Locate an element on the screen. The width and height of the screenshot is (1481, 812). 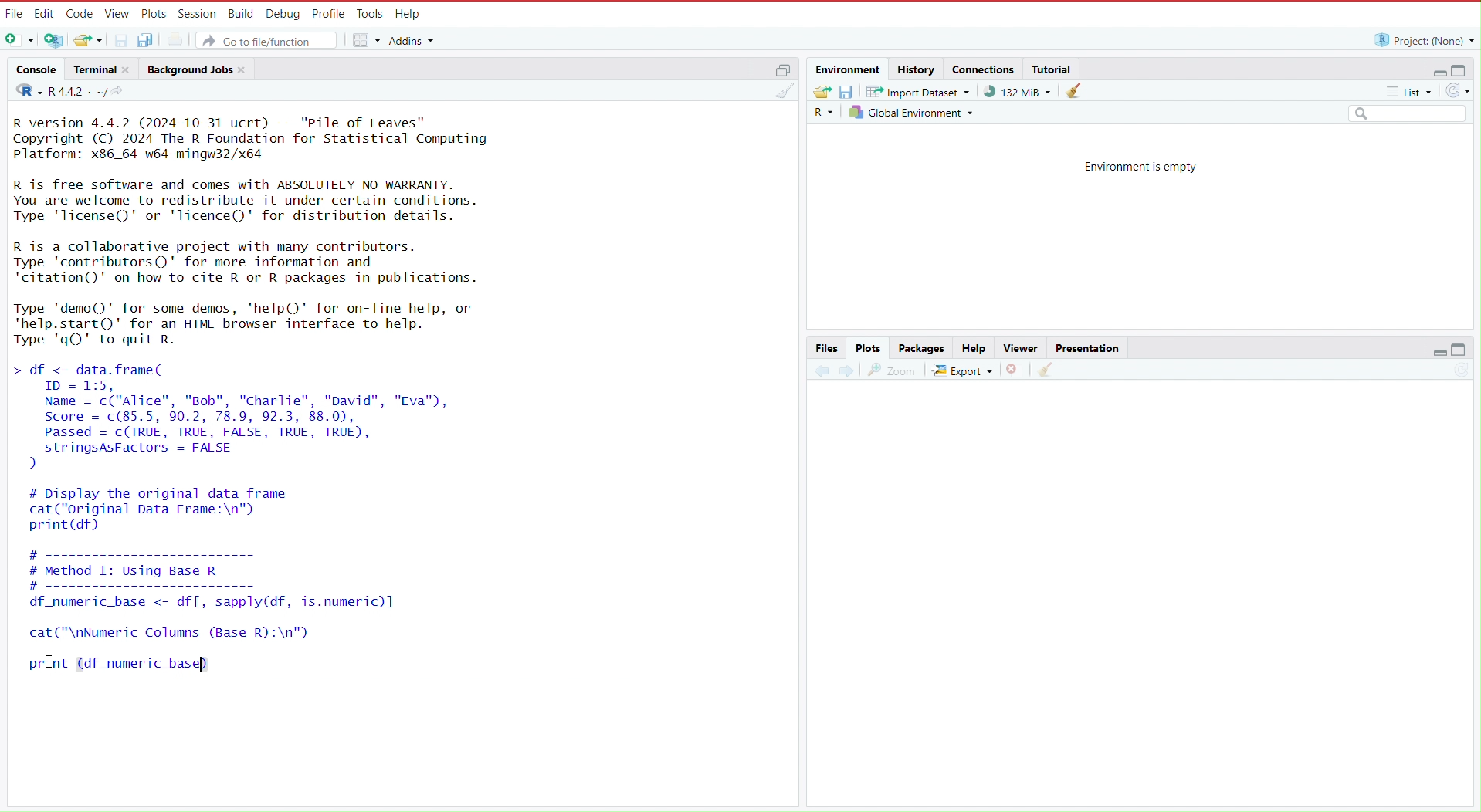
df _numeric_base <- df[, sapply(df, is.numeric)]
cat ("\nNumeric Columns (Base R):\n") is located at coordinates (232, 618).